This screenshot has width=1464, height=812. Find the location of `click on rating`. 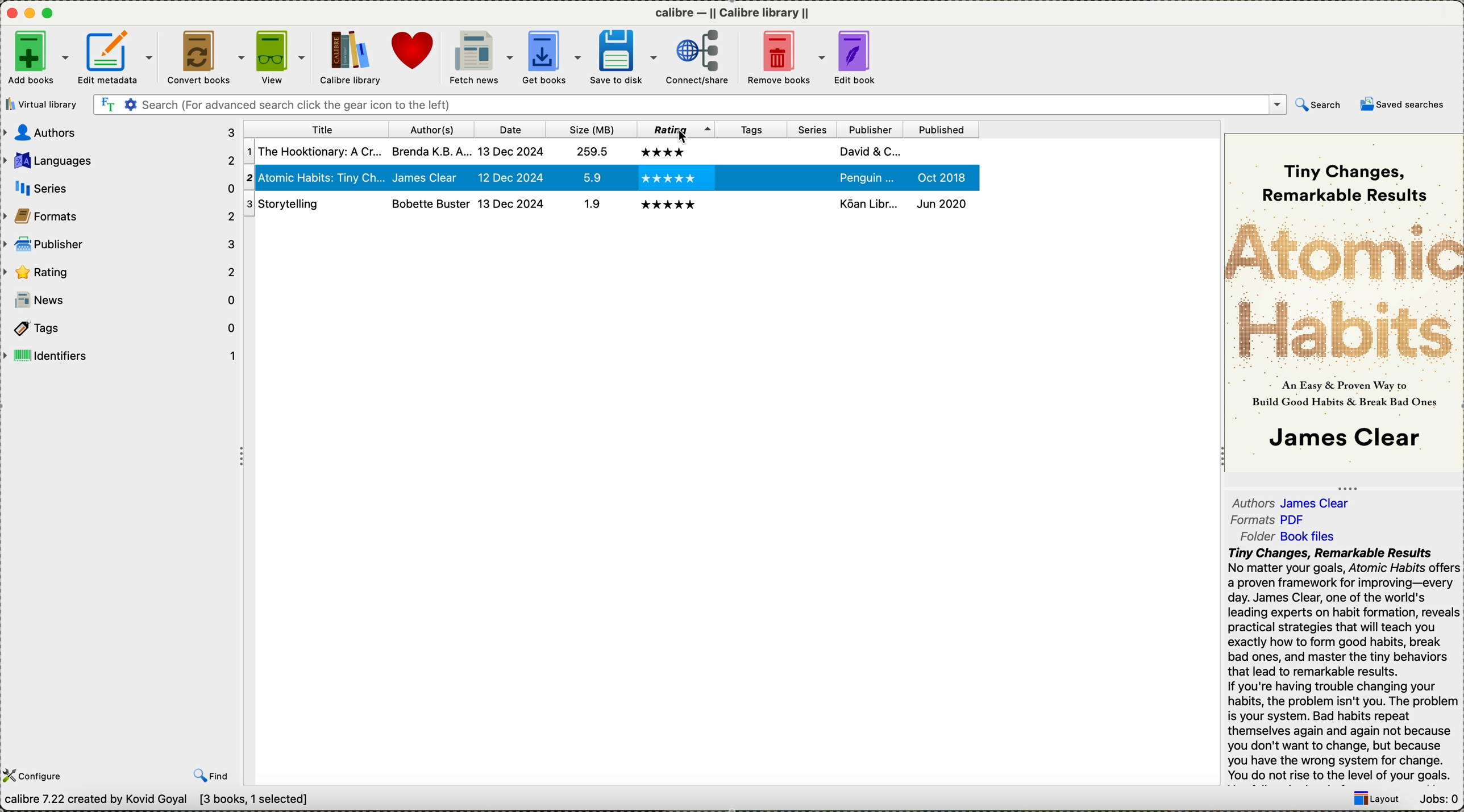

click on rating is located at coordinates (676, 130).